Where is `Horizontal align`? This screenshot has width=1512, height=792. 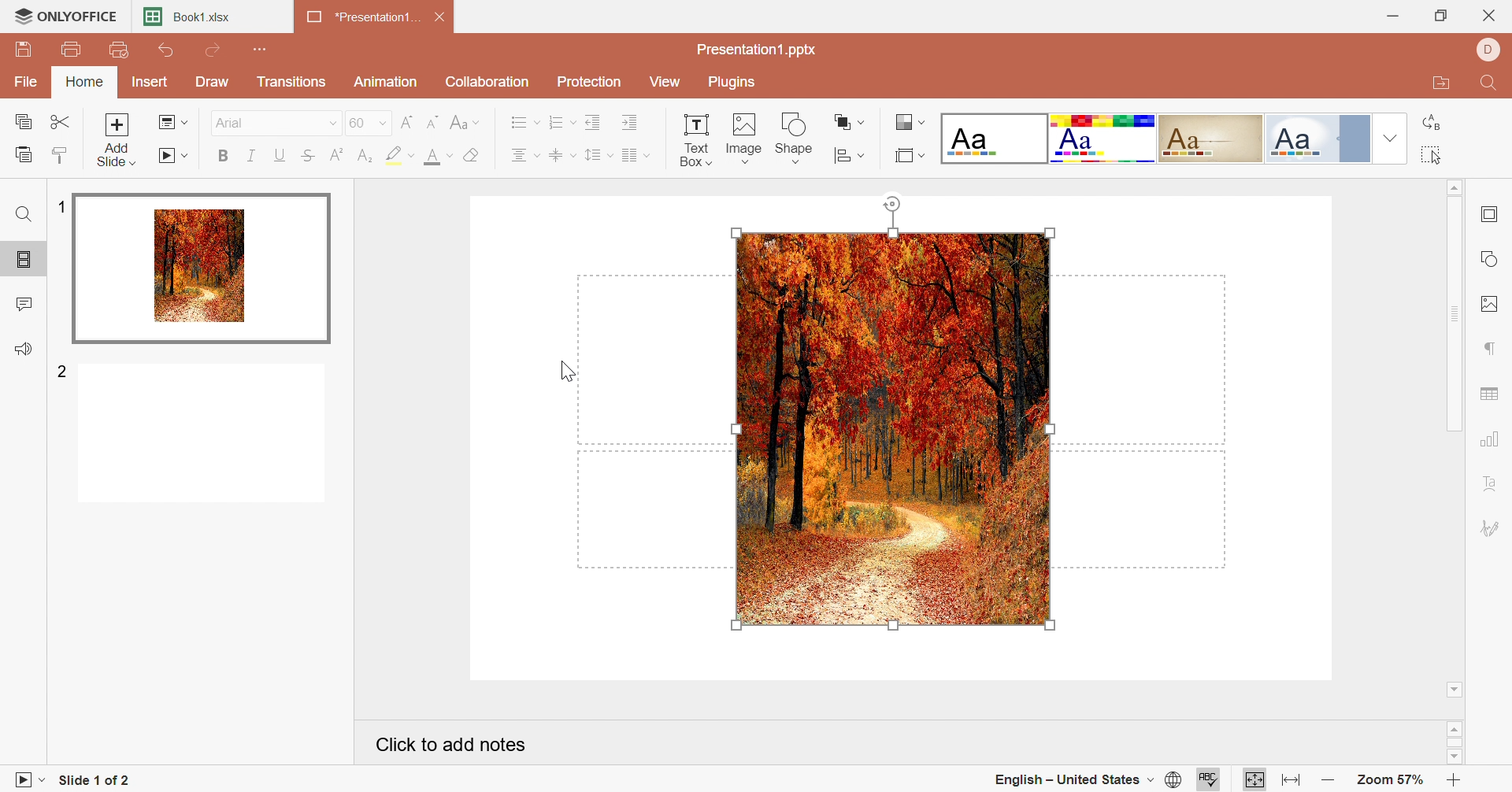
Horizontal align is located at coordinates (525, 154).